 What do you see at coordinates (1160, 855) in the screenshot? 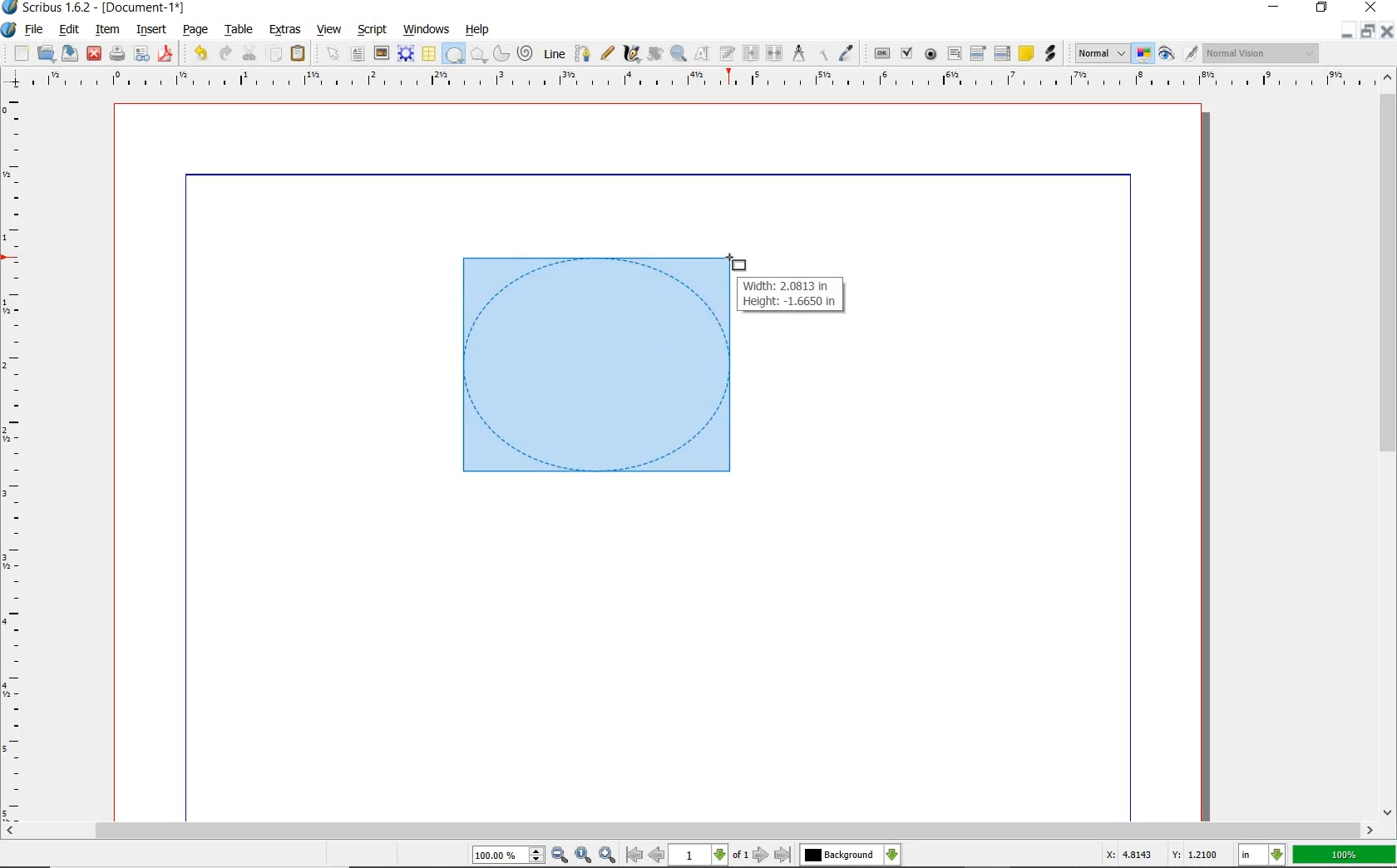
I see `coordinates` at bounding box center [1160, 855].